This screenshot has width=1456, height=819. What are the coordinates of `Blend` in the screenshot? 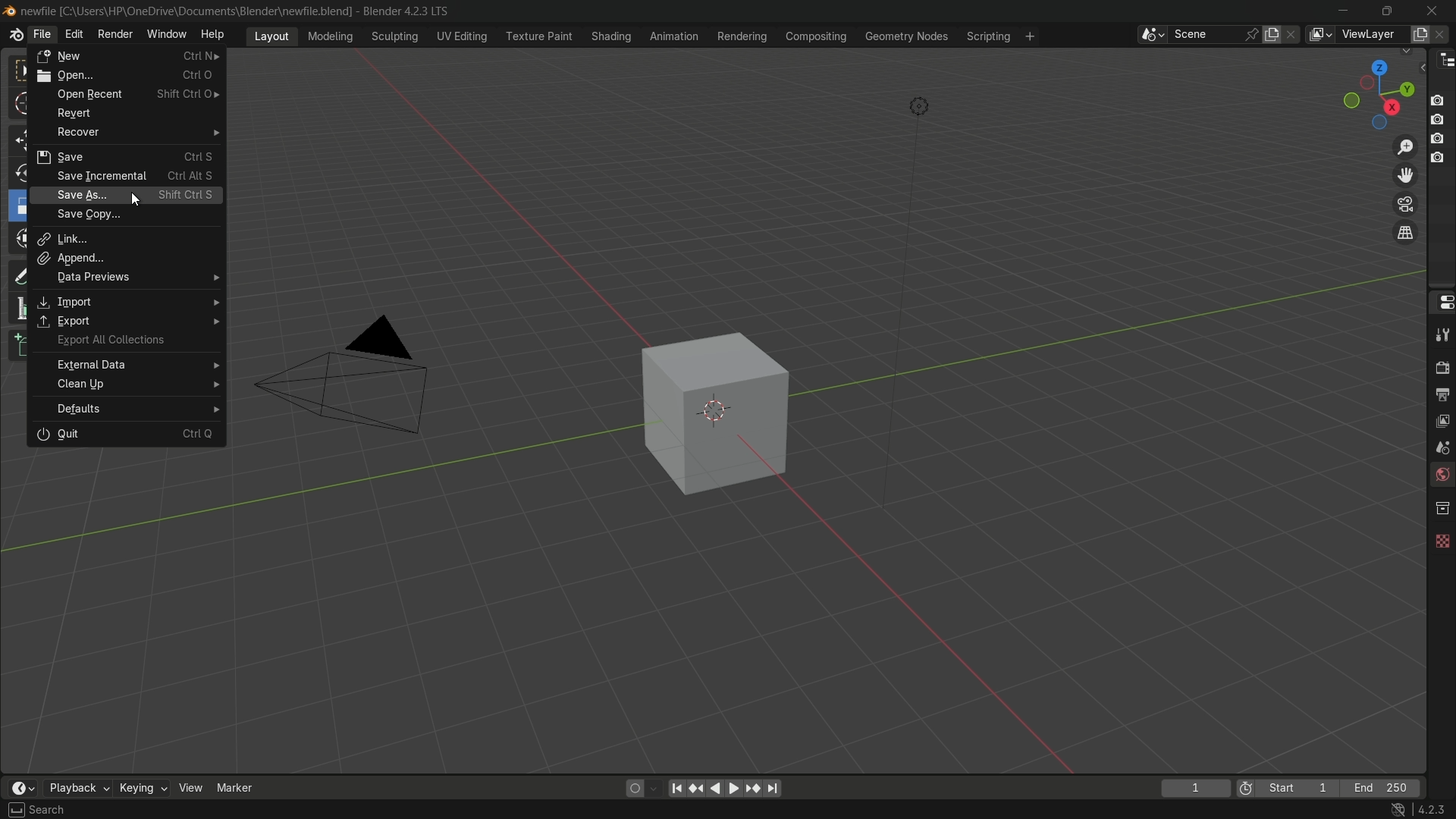 It's located at (9, 10).